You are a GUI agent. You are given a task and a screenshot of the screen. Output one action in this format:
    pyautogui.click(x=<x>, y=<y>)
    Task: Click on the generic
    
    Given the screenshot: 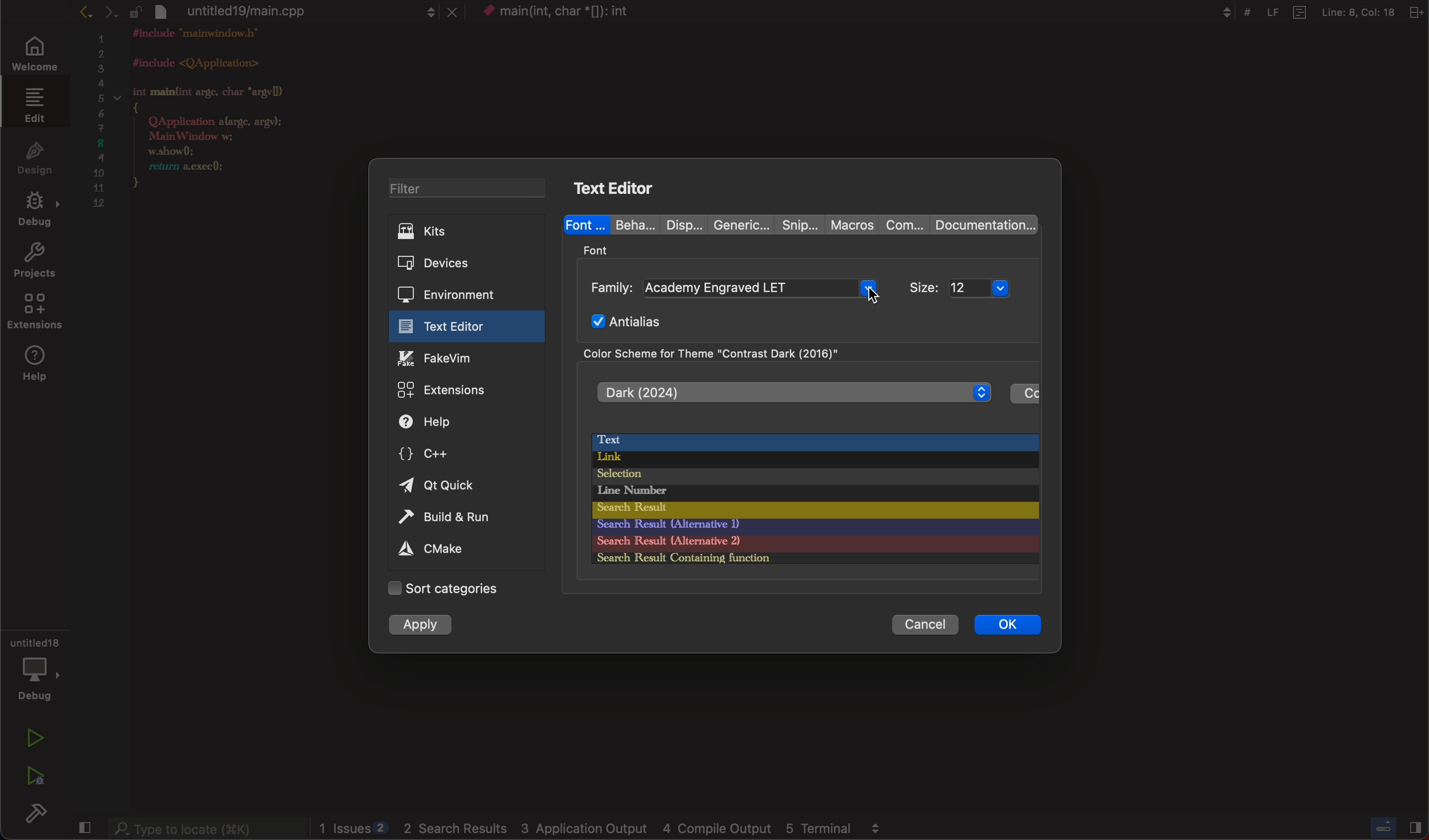 What is the action you would take?
    pyautogui.click(x=737, y=223)
    